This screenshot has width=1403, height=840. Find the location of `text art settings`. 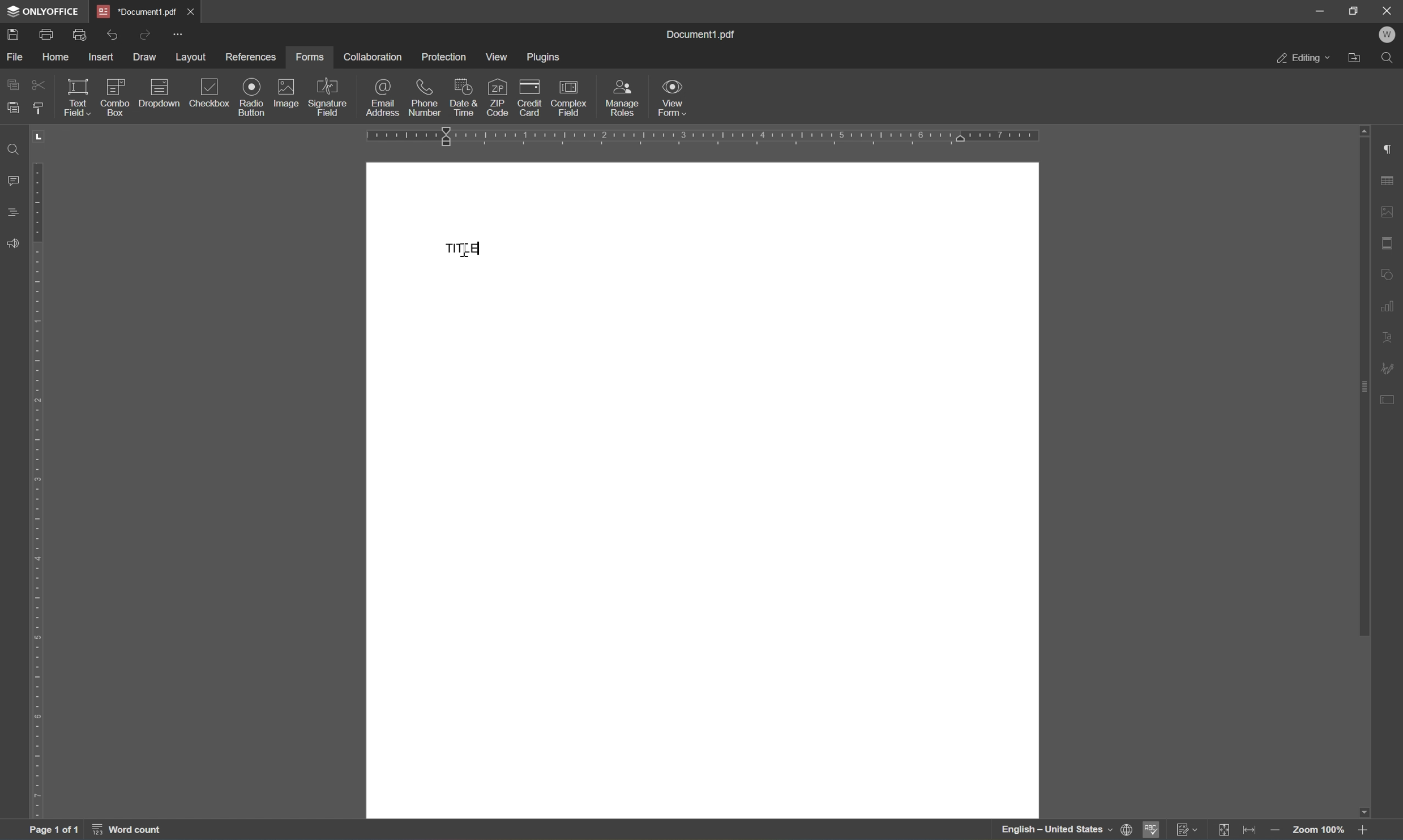

text art settings is located at coordinates (1391, 335).